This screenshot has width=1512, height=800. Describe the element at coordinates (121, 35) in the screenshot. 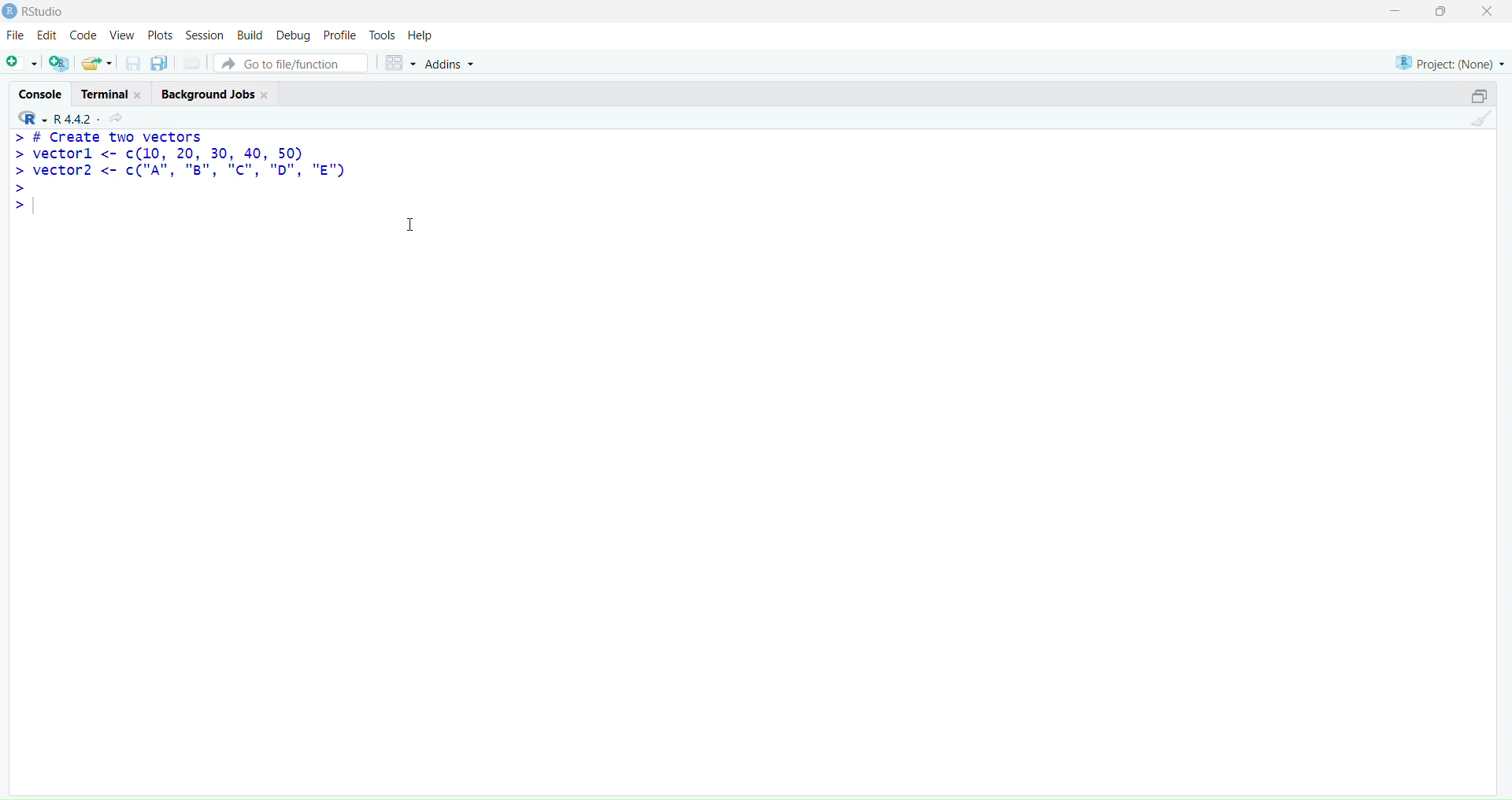

I see `View` at that location.